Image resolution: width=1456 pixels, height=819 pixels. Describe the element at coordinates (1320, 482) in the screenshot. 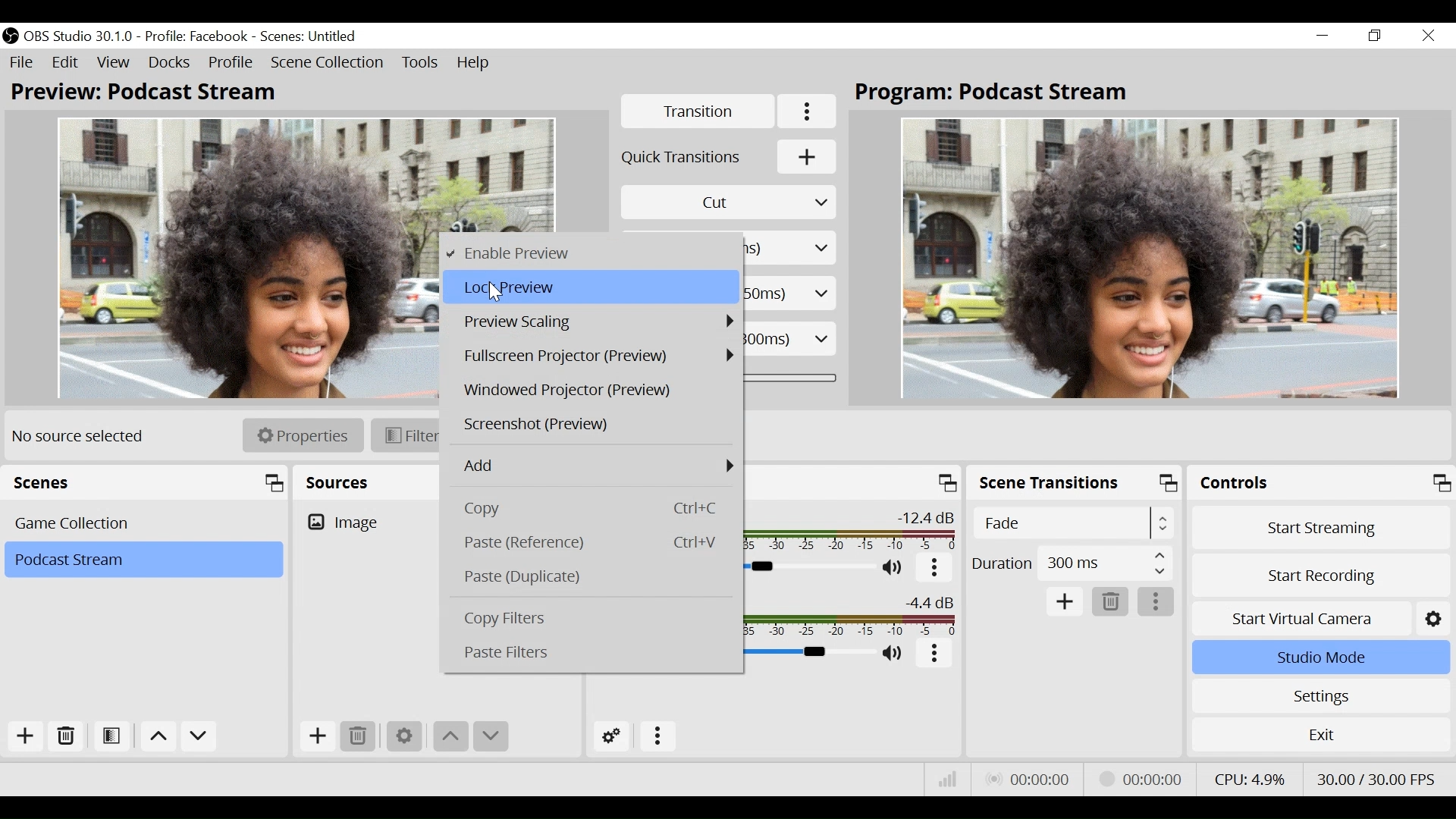

I see `Controls` at that location.